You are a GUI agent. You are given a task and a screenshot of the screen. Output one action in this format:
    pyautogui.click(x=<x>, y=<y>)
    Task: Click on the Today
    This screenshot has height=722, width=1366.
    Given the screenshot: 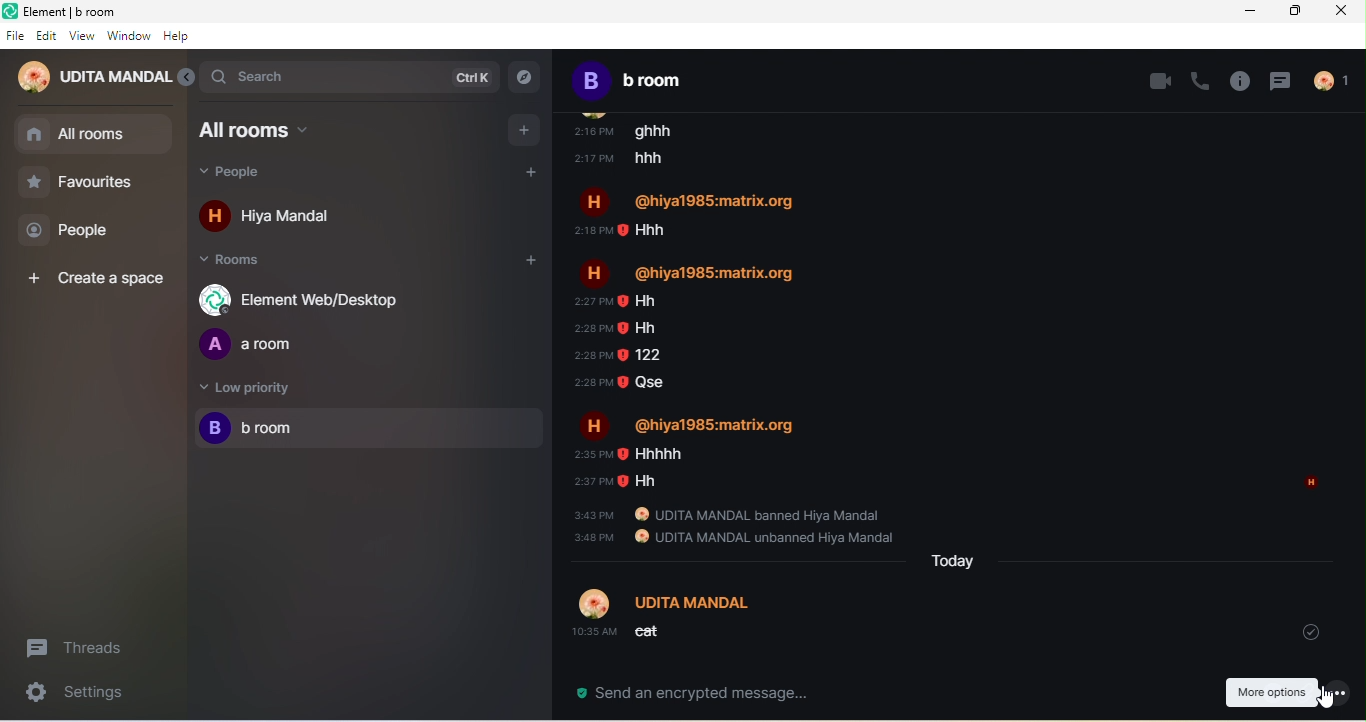 What is the action you would take?
    pyautogui.click(x=956, y=560)
    